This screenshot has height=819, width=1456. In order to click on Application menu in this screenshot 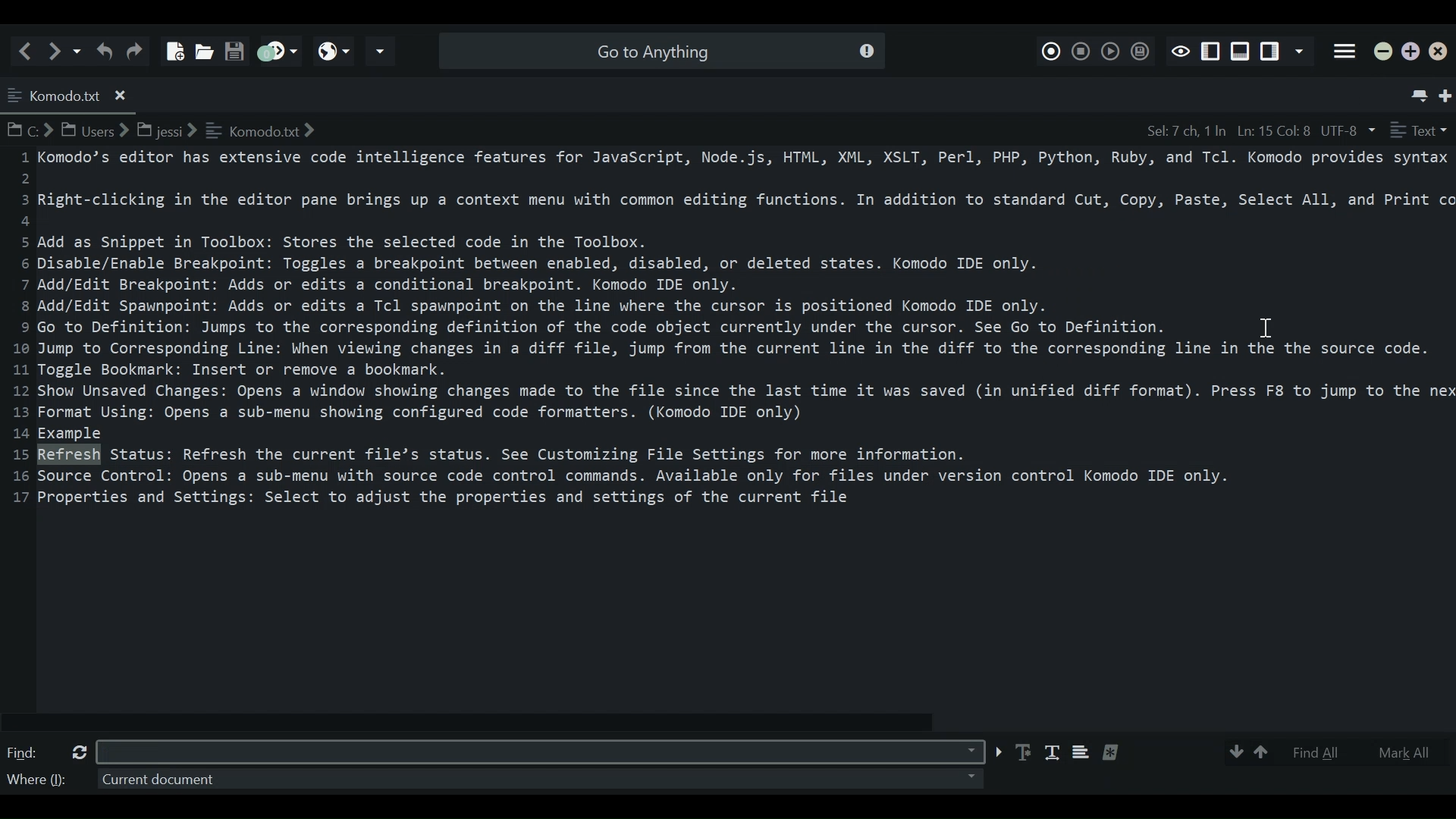, I will do `click(1345, 52)`.